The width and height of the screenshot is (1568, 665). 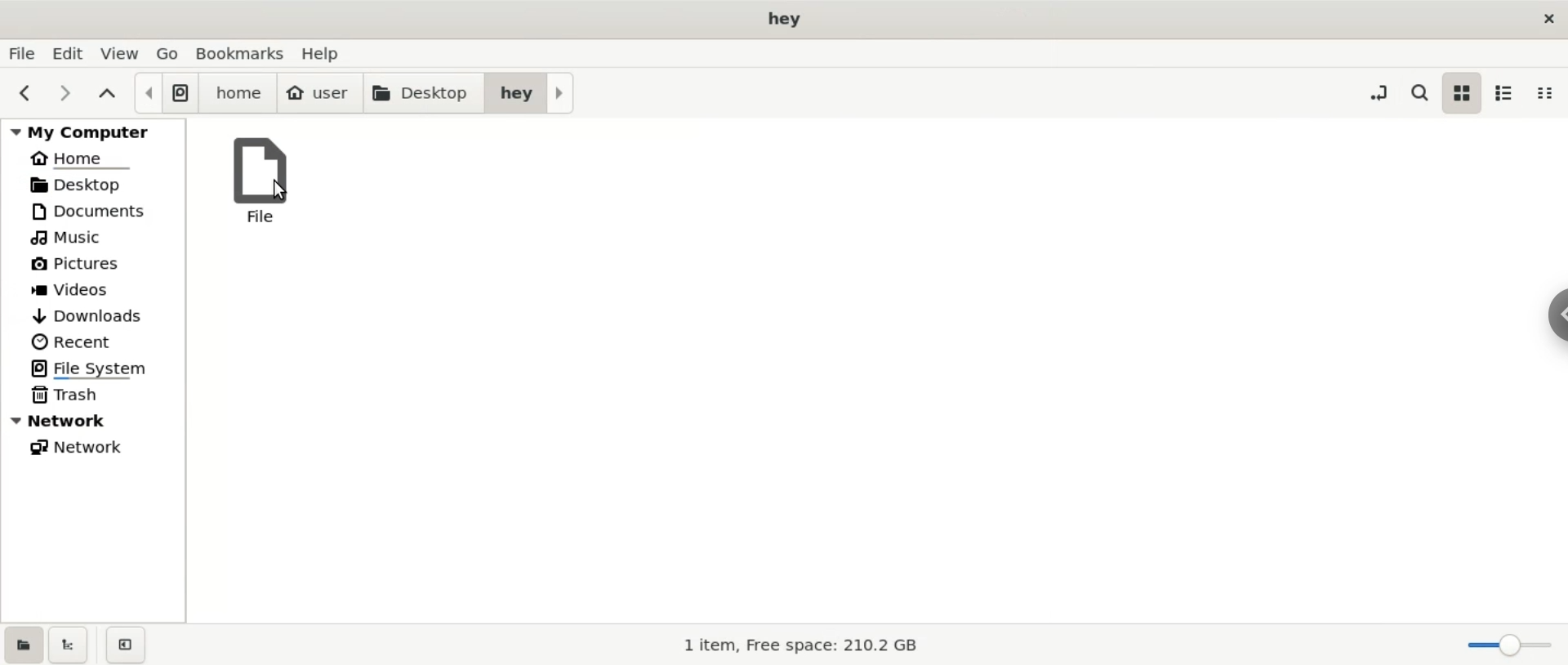 I want to click on hey folders, so click(x=530, y=92).